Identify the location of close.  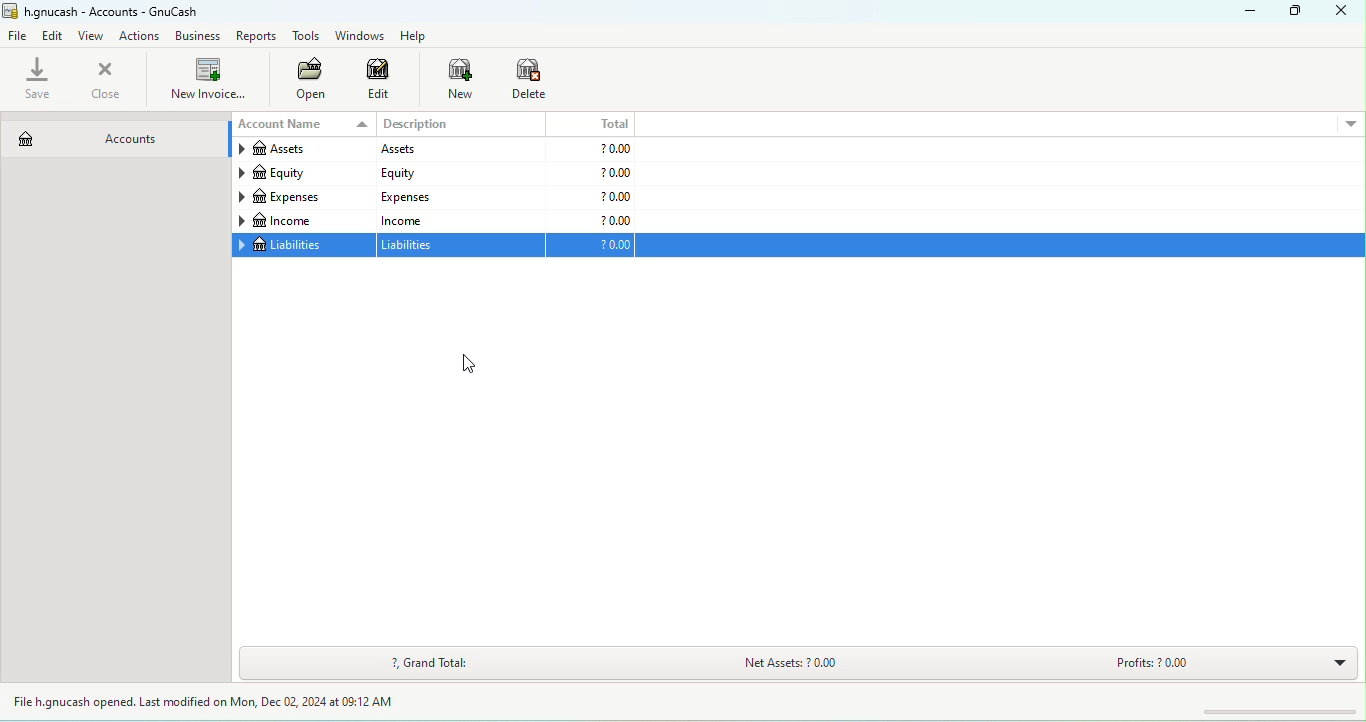
(105, 80).